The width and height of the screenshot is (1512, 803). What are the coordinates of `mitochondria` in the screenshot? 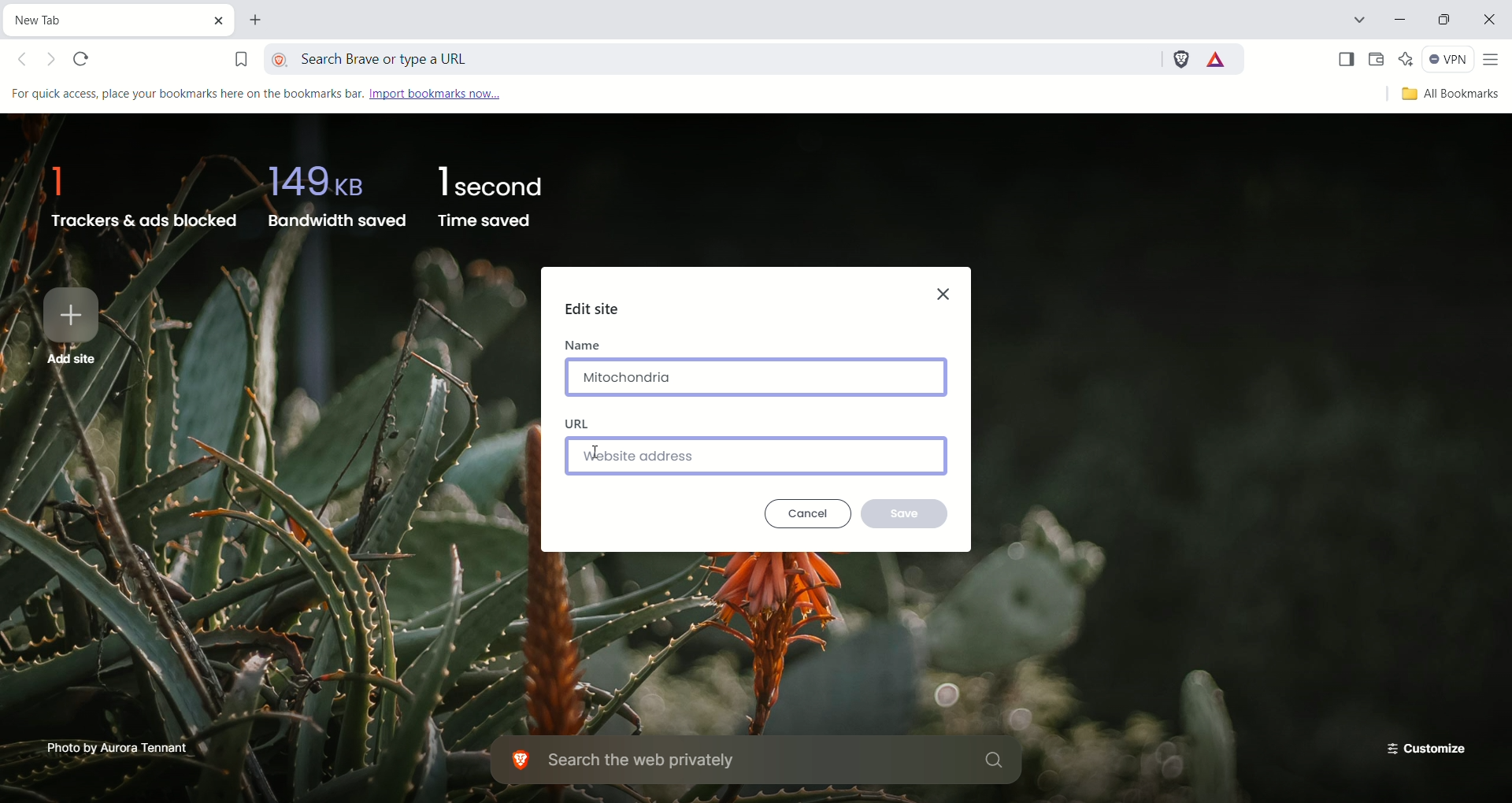 It's located at (758, 377).